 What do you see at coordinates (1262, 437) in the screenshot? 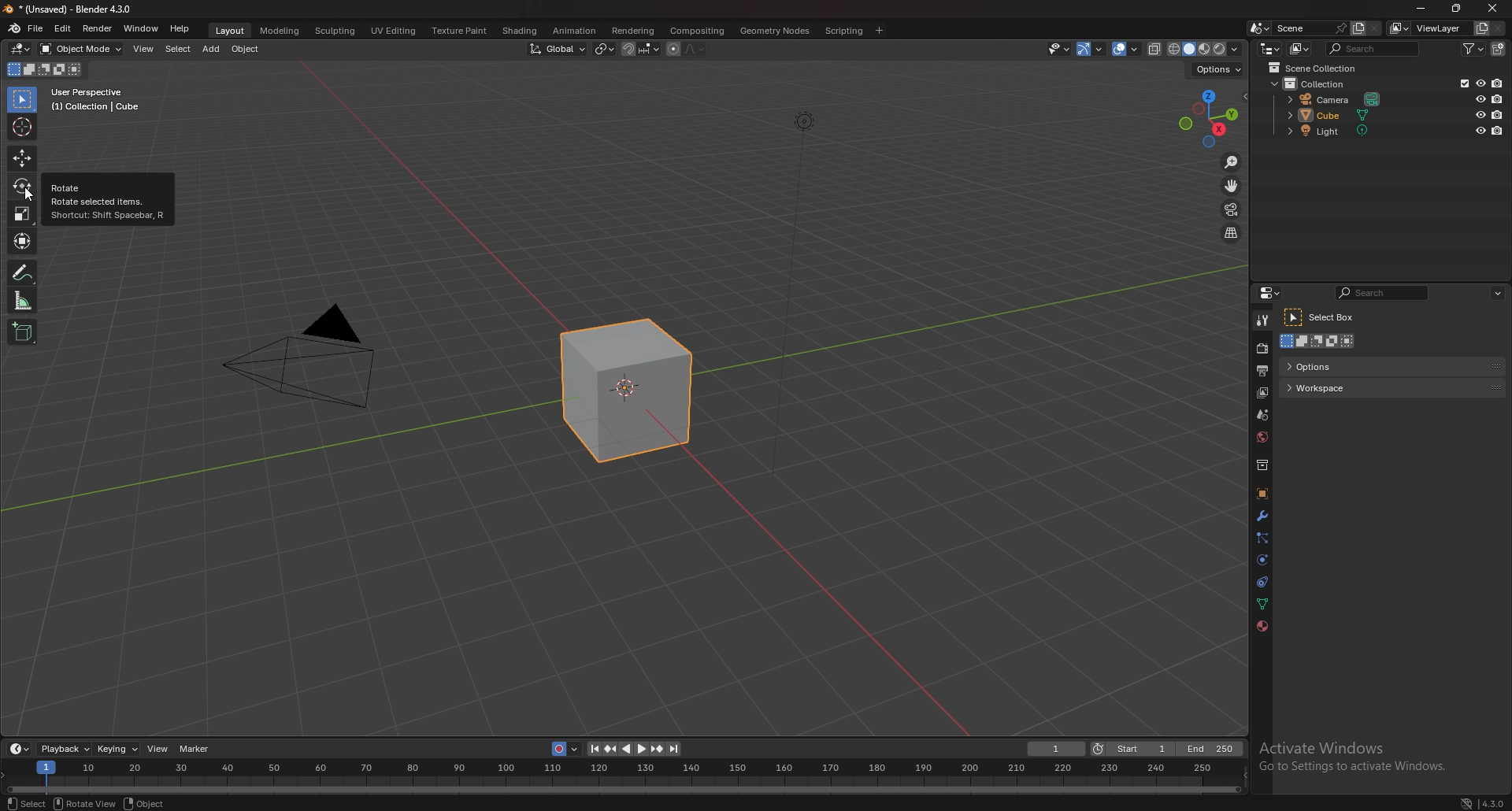
I see `world` at bounding box center [1262, 437].